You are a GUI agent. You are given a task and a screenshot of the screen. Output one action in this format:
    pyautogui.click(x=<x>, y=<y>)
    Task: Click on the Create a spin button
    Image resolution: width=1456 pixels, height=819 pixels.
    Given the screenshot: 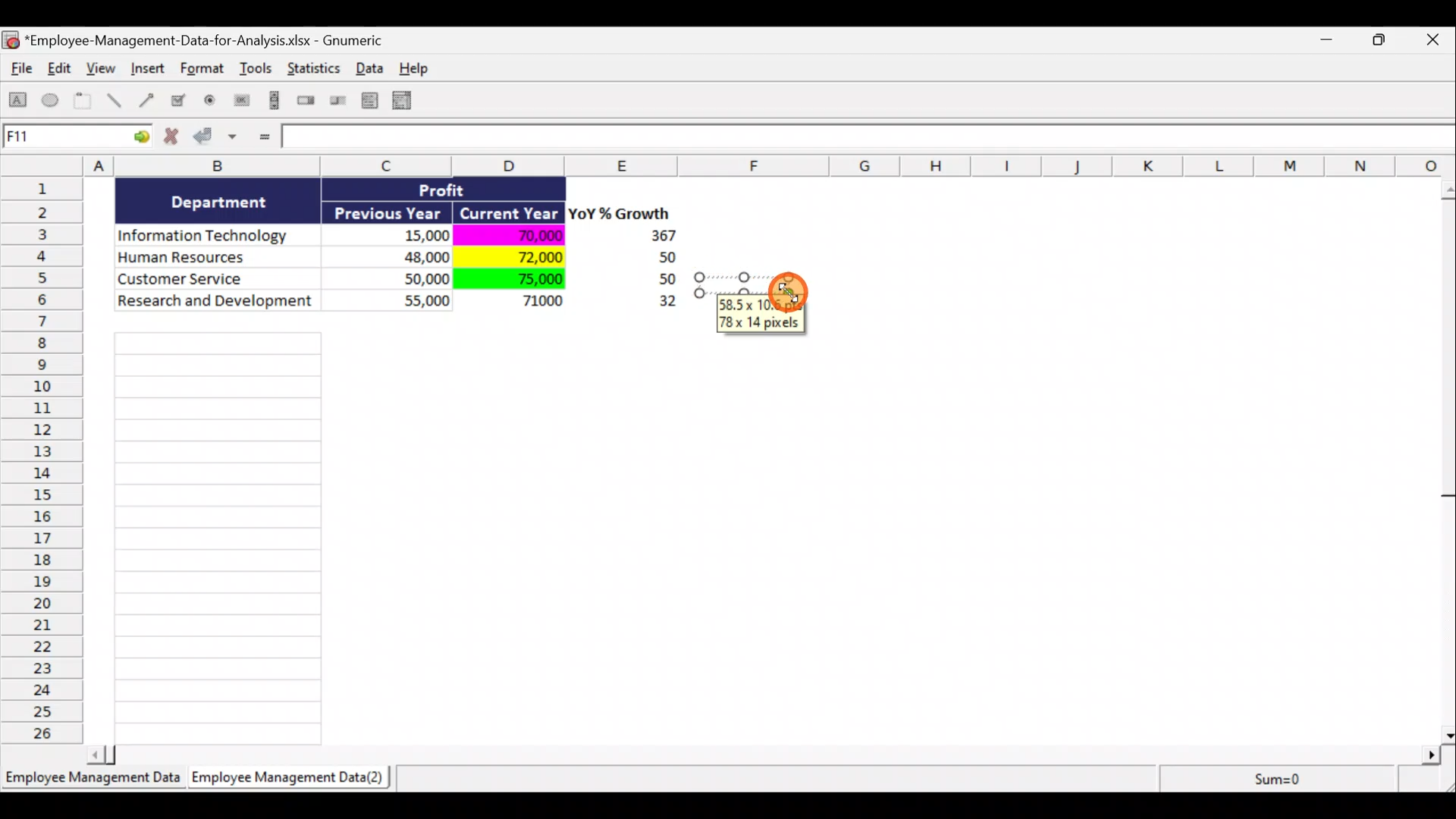 What is the action you would take?
    pyautogui.click(x=307, y=102)
    